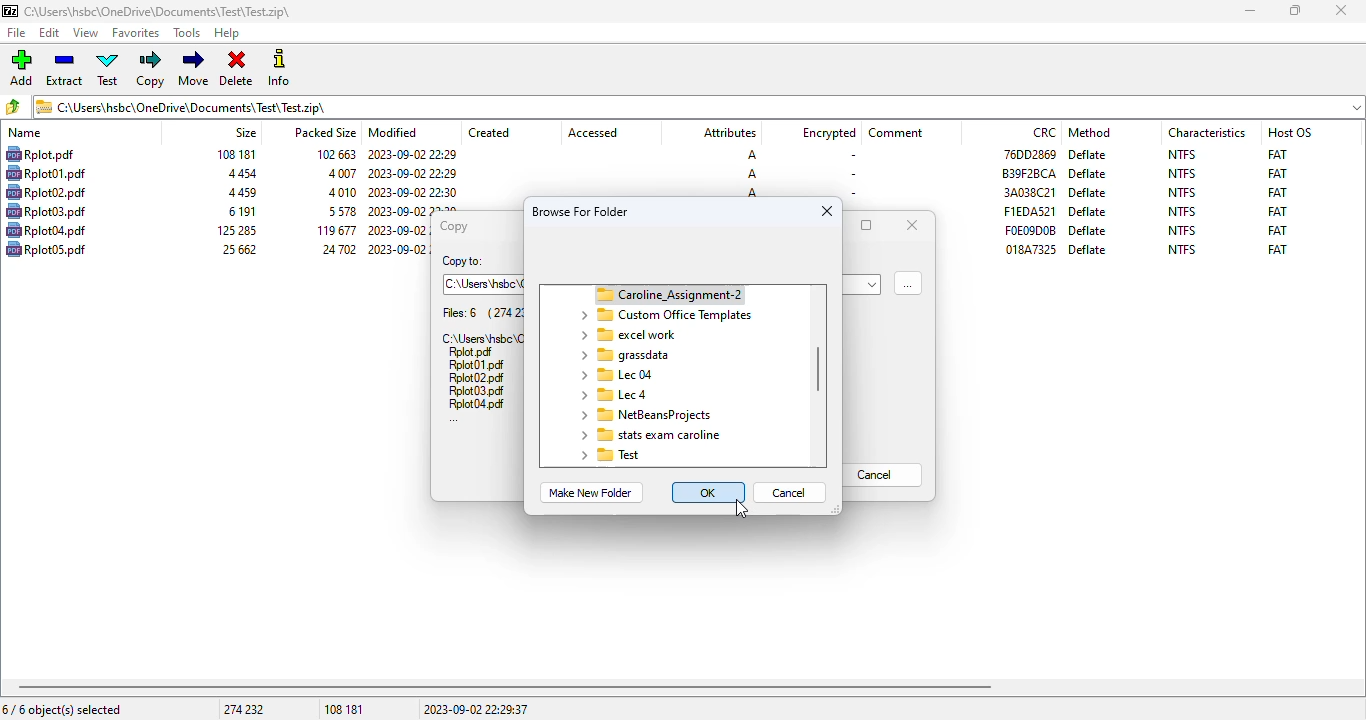  What do you see at coordinates (1295, 11) in the screenshot?
I see `maximize` at bounding box center [1295, 11].